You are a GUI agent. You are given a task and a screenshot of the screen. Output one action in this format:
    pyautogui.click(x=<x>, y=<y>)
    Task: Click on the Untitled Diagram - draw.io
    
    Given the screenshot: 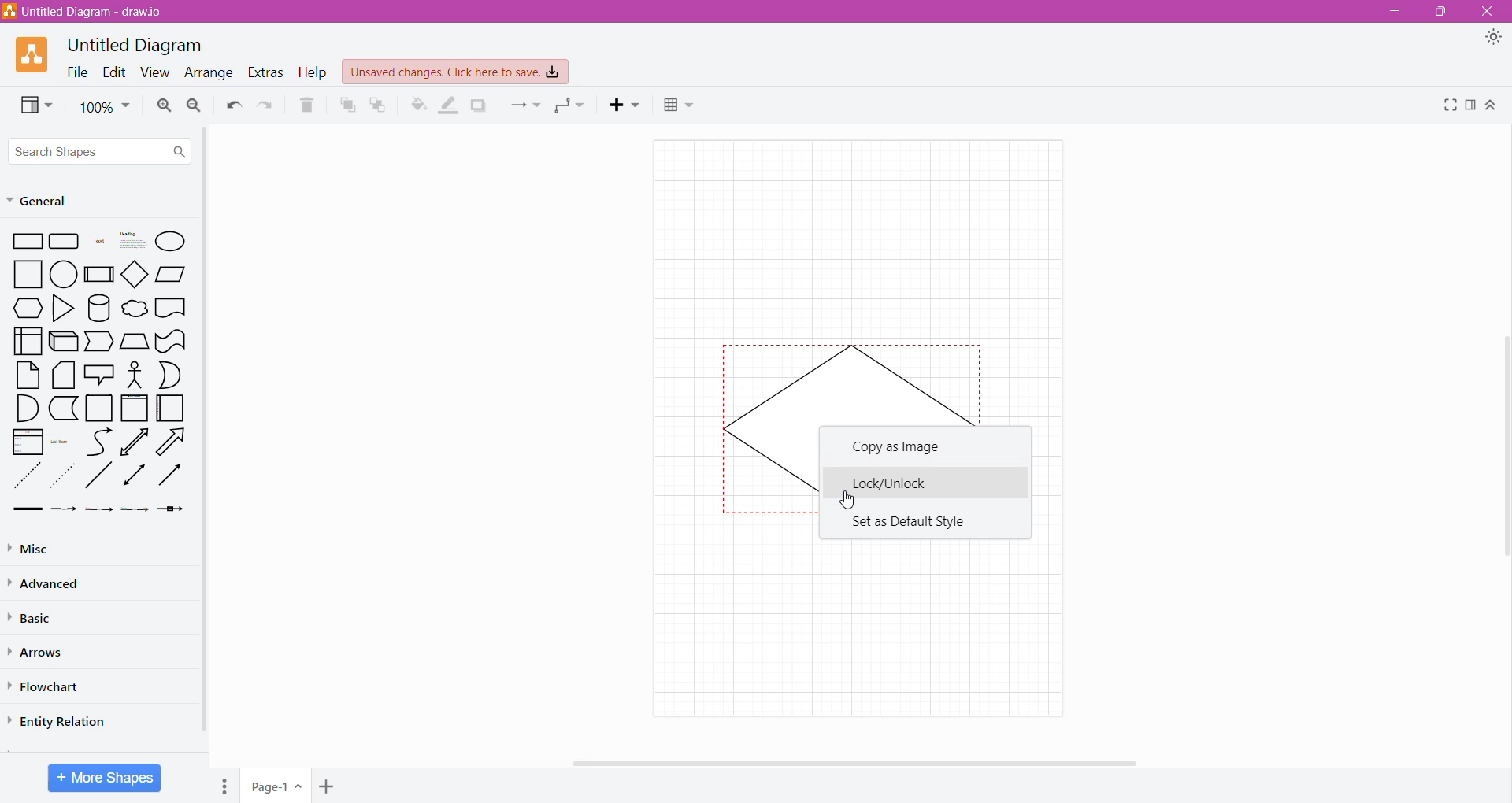 What is the action you would take?
    pyautogui.click(x=89, y=11)
    